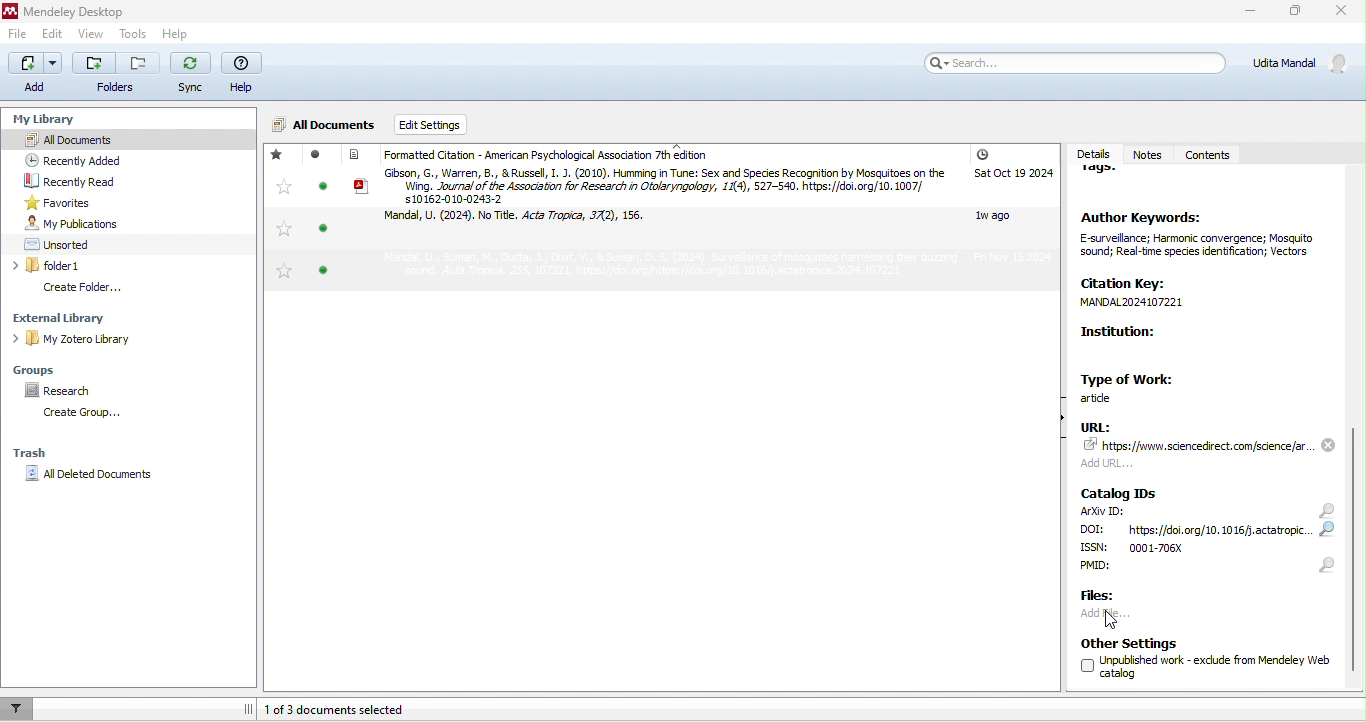 The width and height of the screenshot is (1366, 722). What do you see at coordinates (1072, 62) in the screenshot?
I see `search bar` at bounding box center [1072, 62].